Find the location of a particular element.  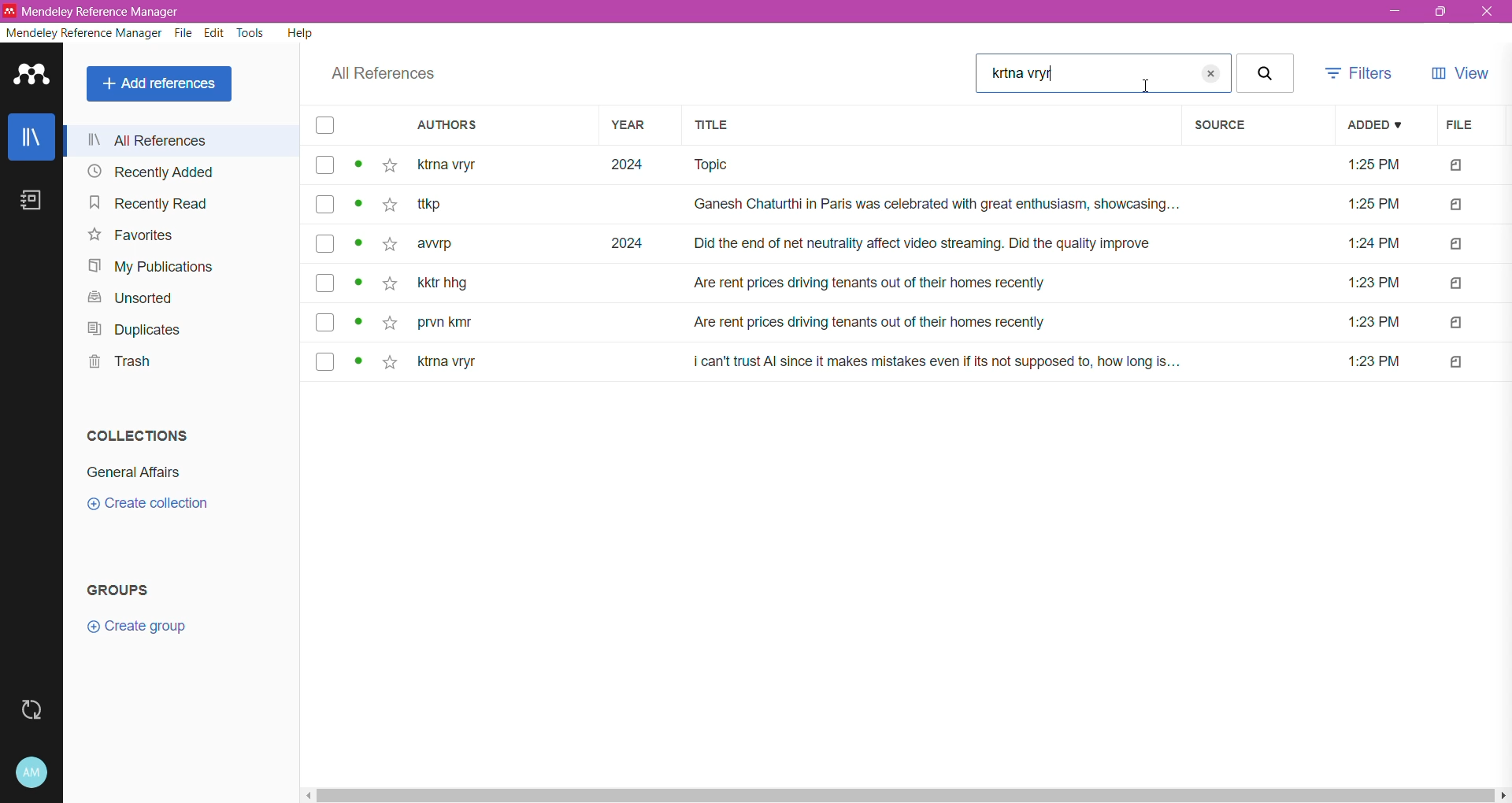

click here to add to favourites is located at coordinates (389, 246).